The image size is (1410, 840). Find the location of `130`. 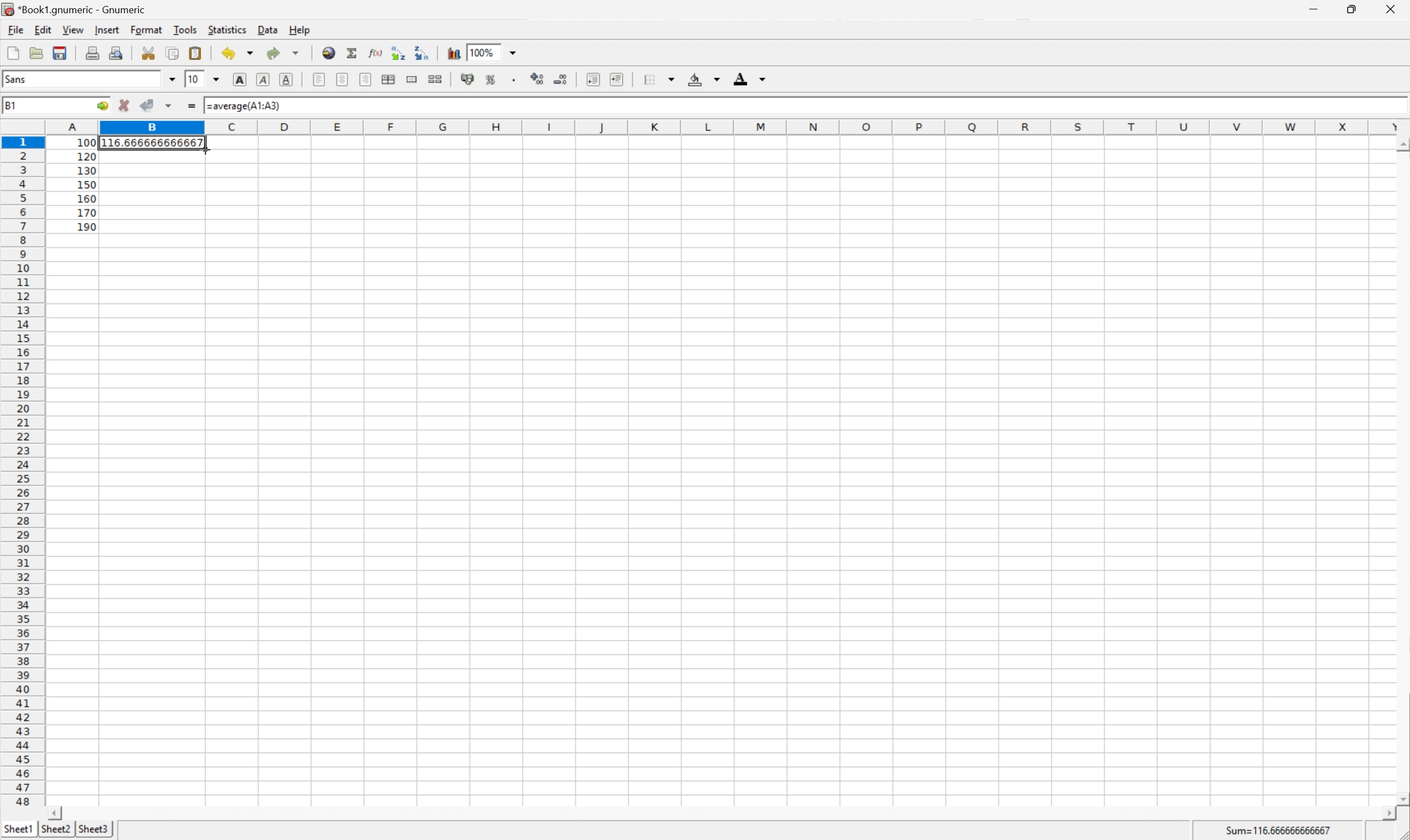

130 is located at coordinates (86, 170).